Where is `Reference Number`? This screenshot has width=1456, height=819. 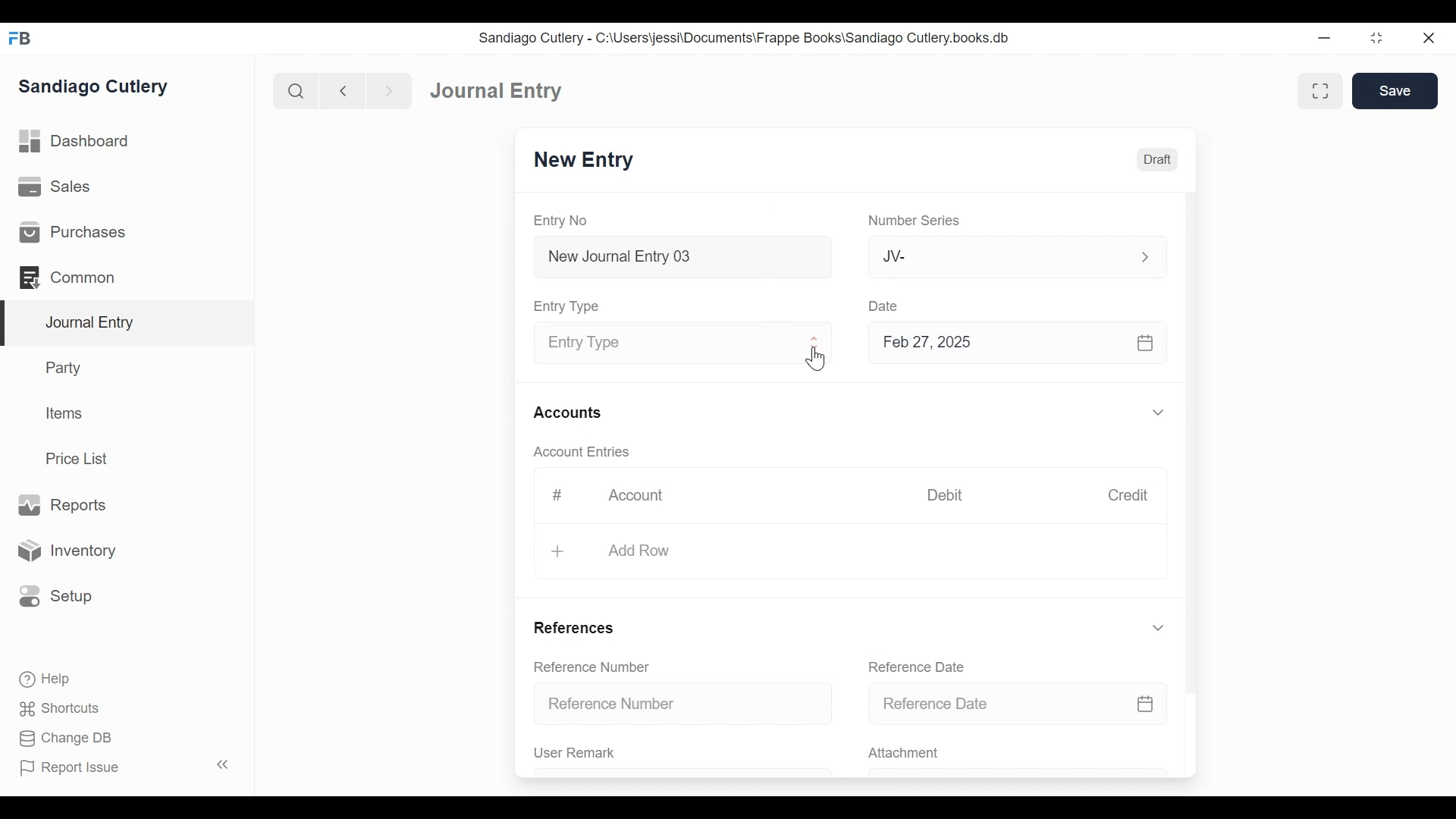
Reference Number is located at coordinates (592, 667).